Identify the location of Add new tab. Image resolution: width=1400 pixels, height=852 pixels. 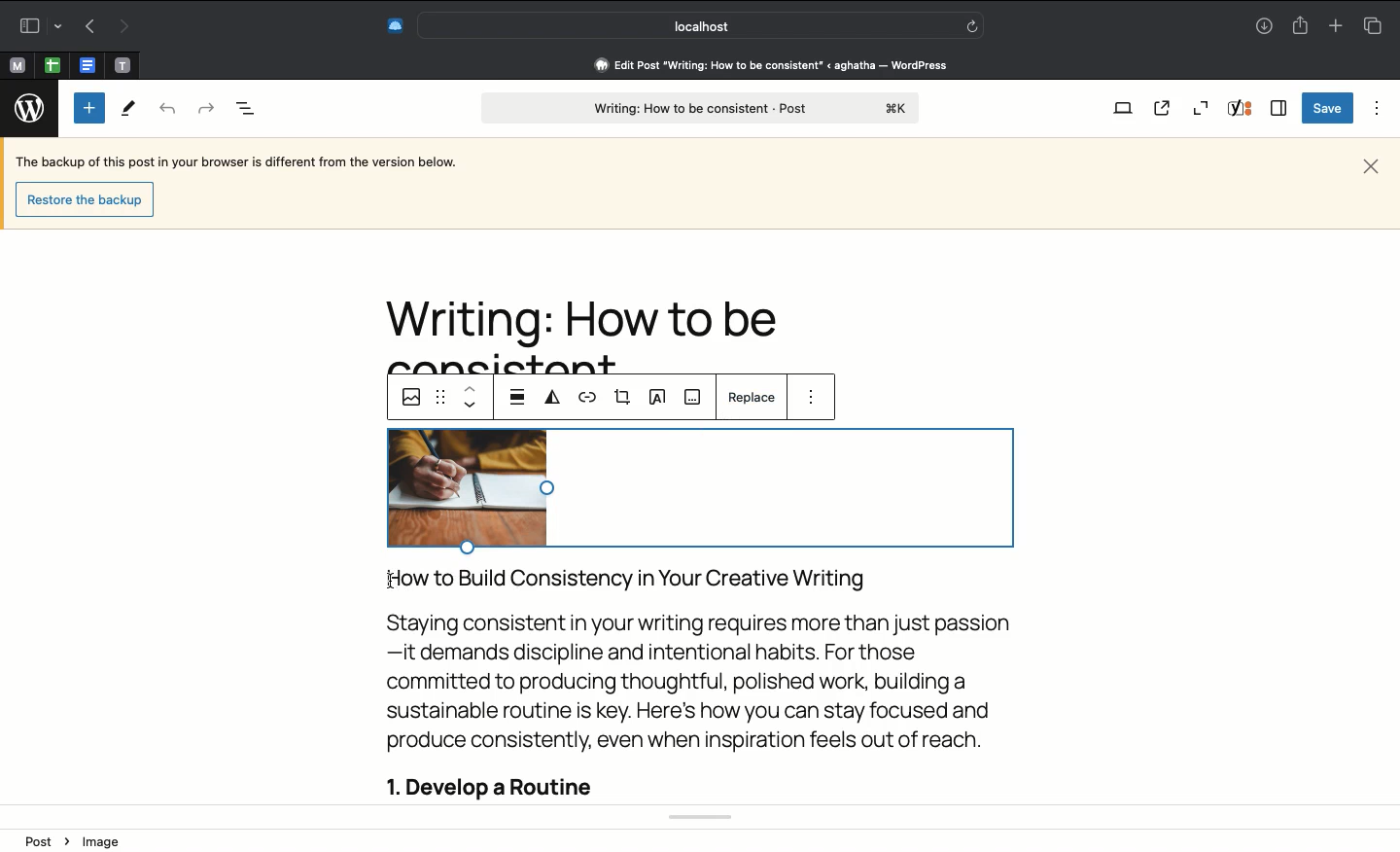
(1338, 25).